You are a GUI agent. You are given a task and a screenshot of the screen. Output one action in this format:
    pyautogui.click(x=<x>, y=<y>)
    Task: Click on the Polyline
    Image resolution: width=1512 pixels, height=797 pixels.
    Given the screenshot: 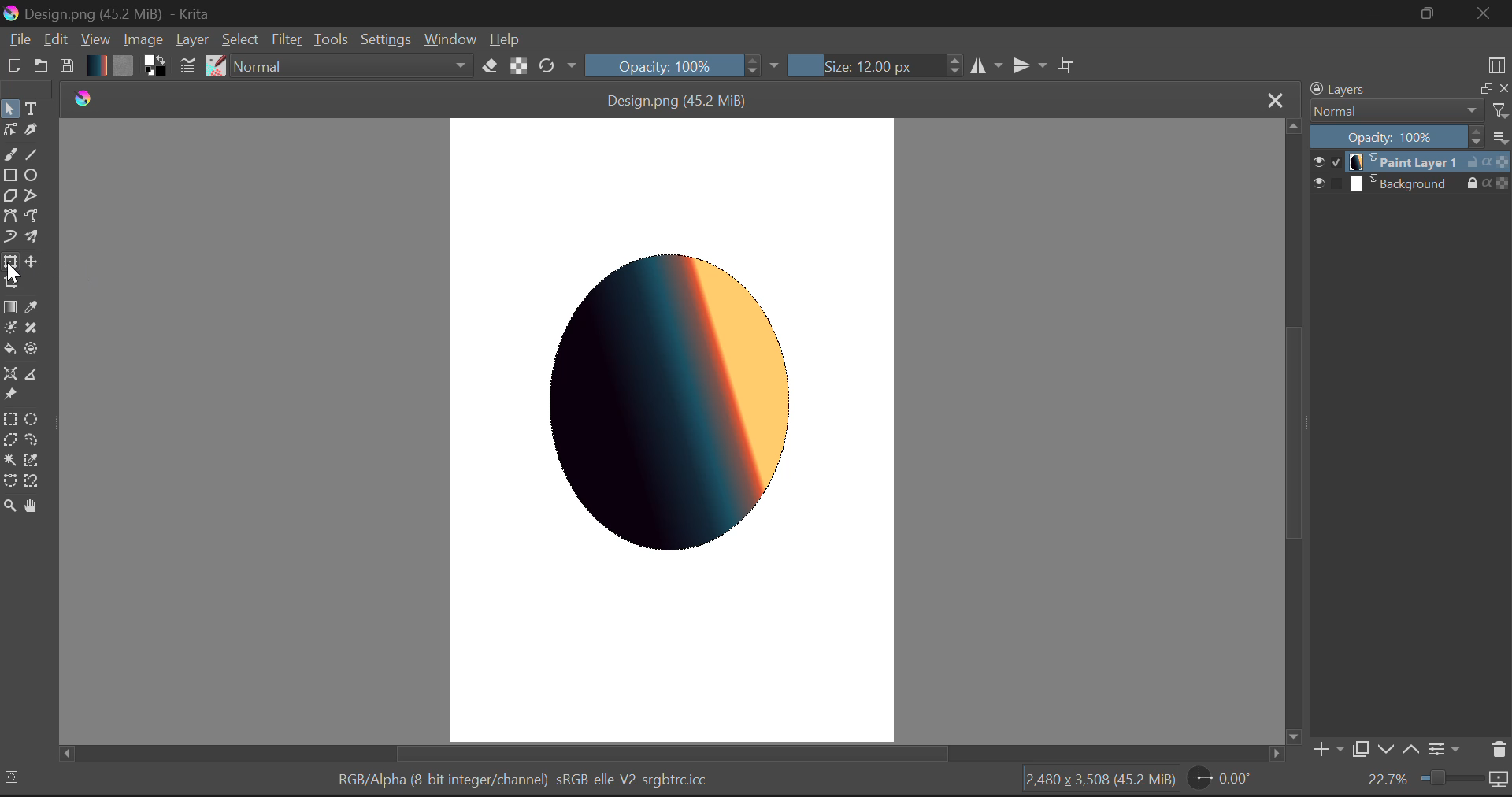 What is the action you would take?
    pyautogui.click(x=32, y=197)
    